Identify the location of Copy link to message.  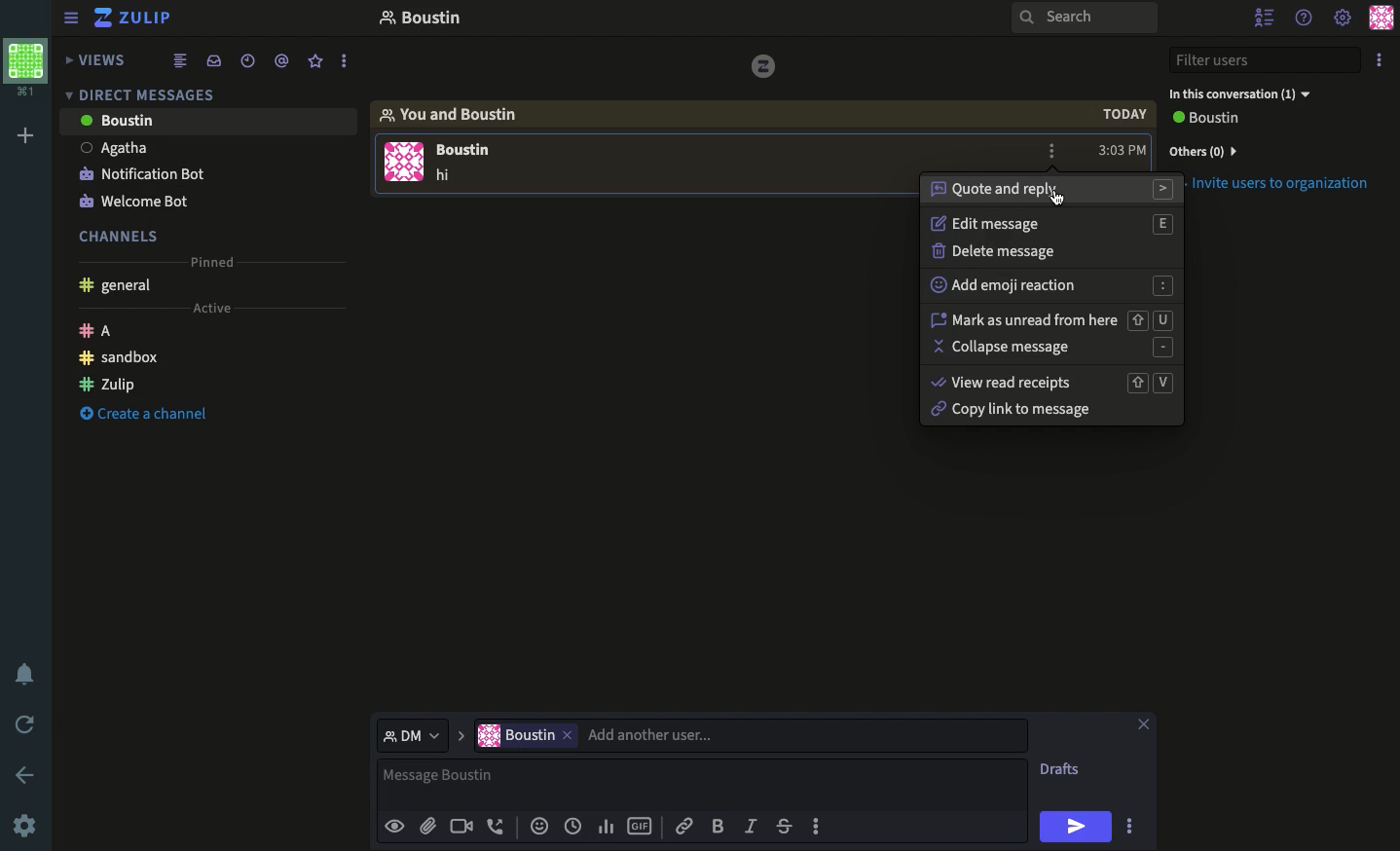
(1012, 410).